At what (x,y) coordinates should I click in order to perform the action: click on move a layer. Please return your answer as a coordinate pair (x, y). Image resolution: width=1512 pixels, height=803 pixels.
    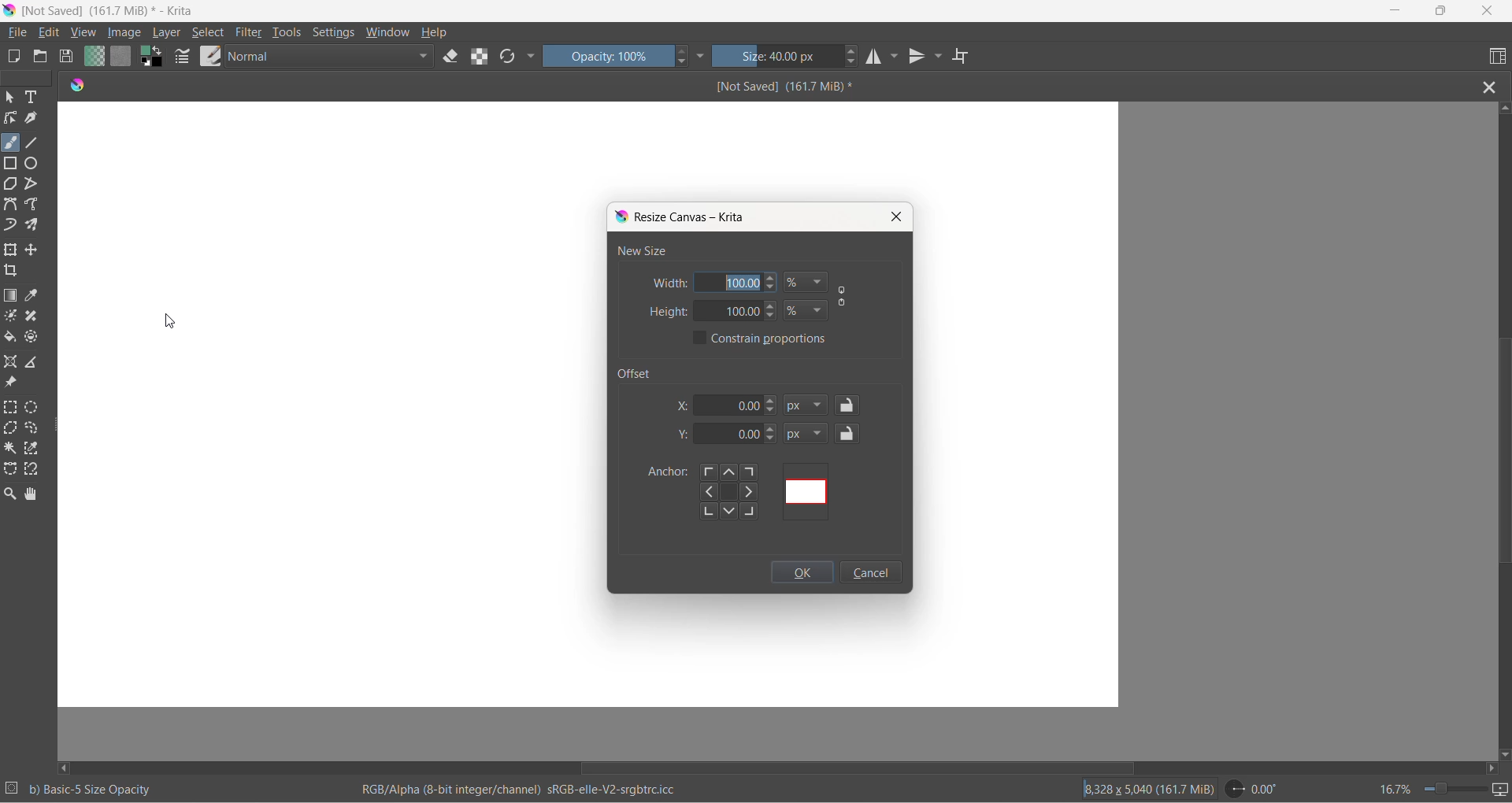
    Looking at the image, I should click on (34, 250).